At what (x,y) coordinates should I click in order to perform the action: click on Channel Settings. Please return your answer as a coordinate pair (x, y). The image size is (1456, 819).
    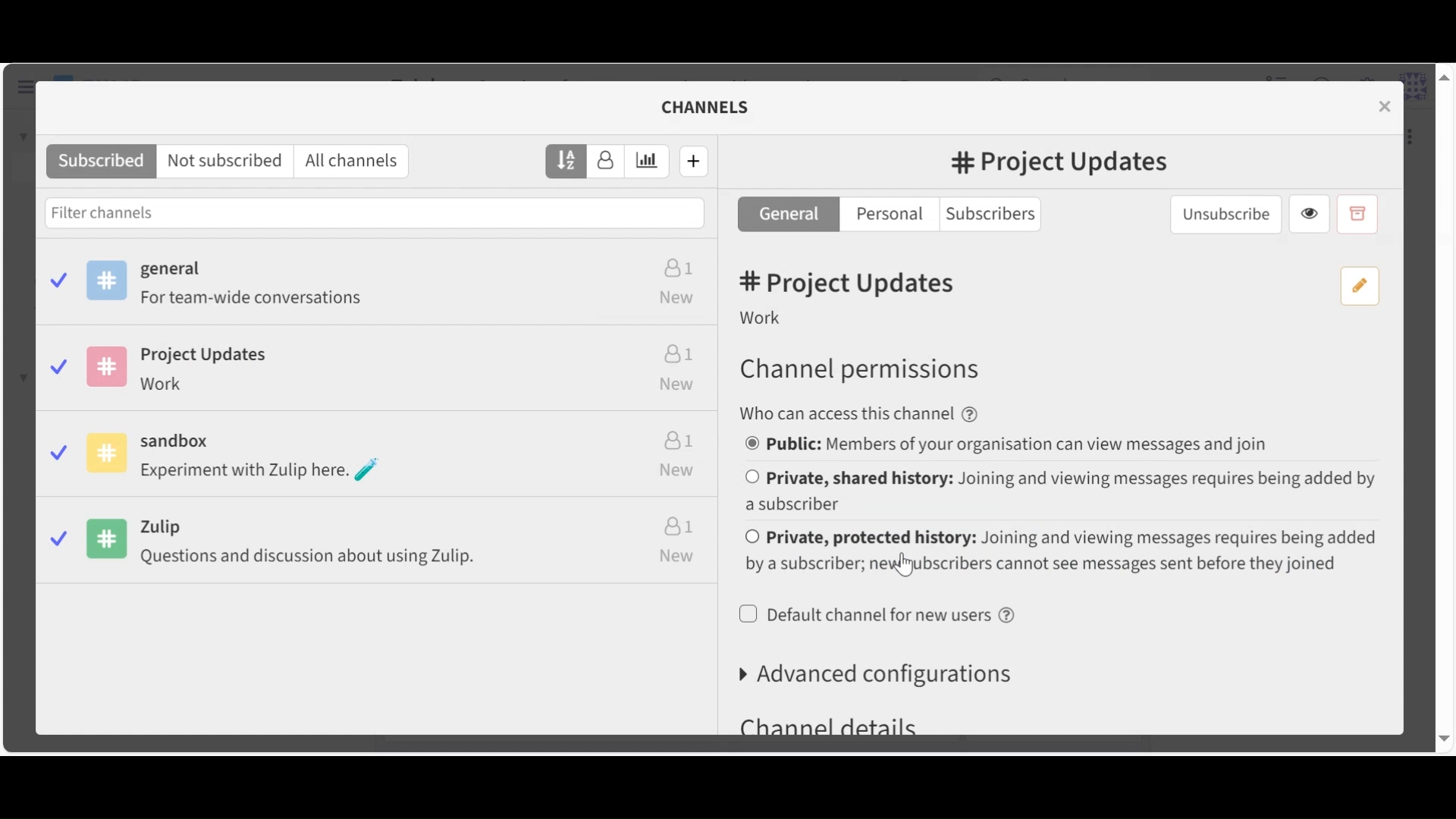
    Looking at the image, I should click on (717, 106).